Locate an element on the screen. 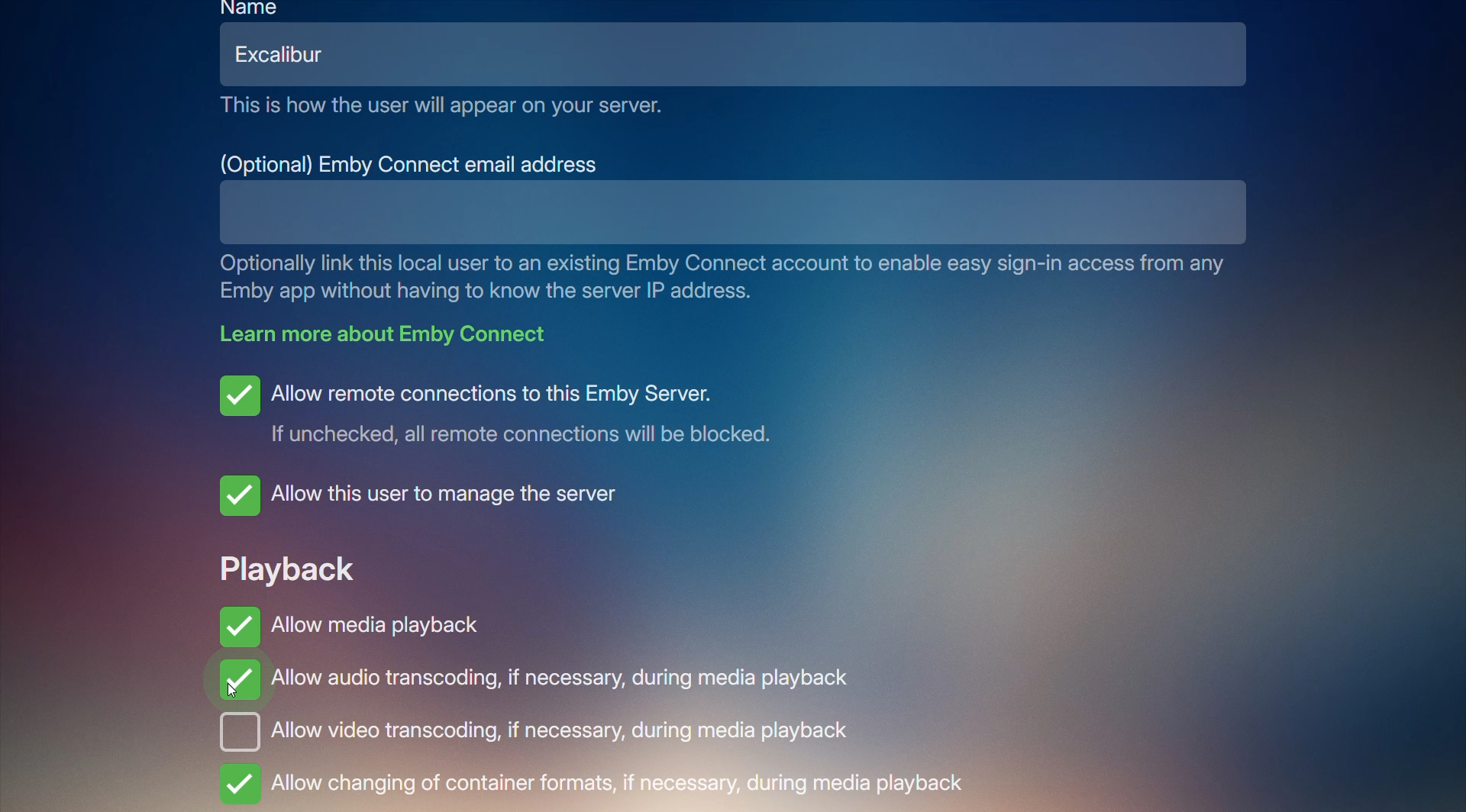 The image size is (1466, 812). textbox is located at coordinates (681, 212).